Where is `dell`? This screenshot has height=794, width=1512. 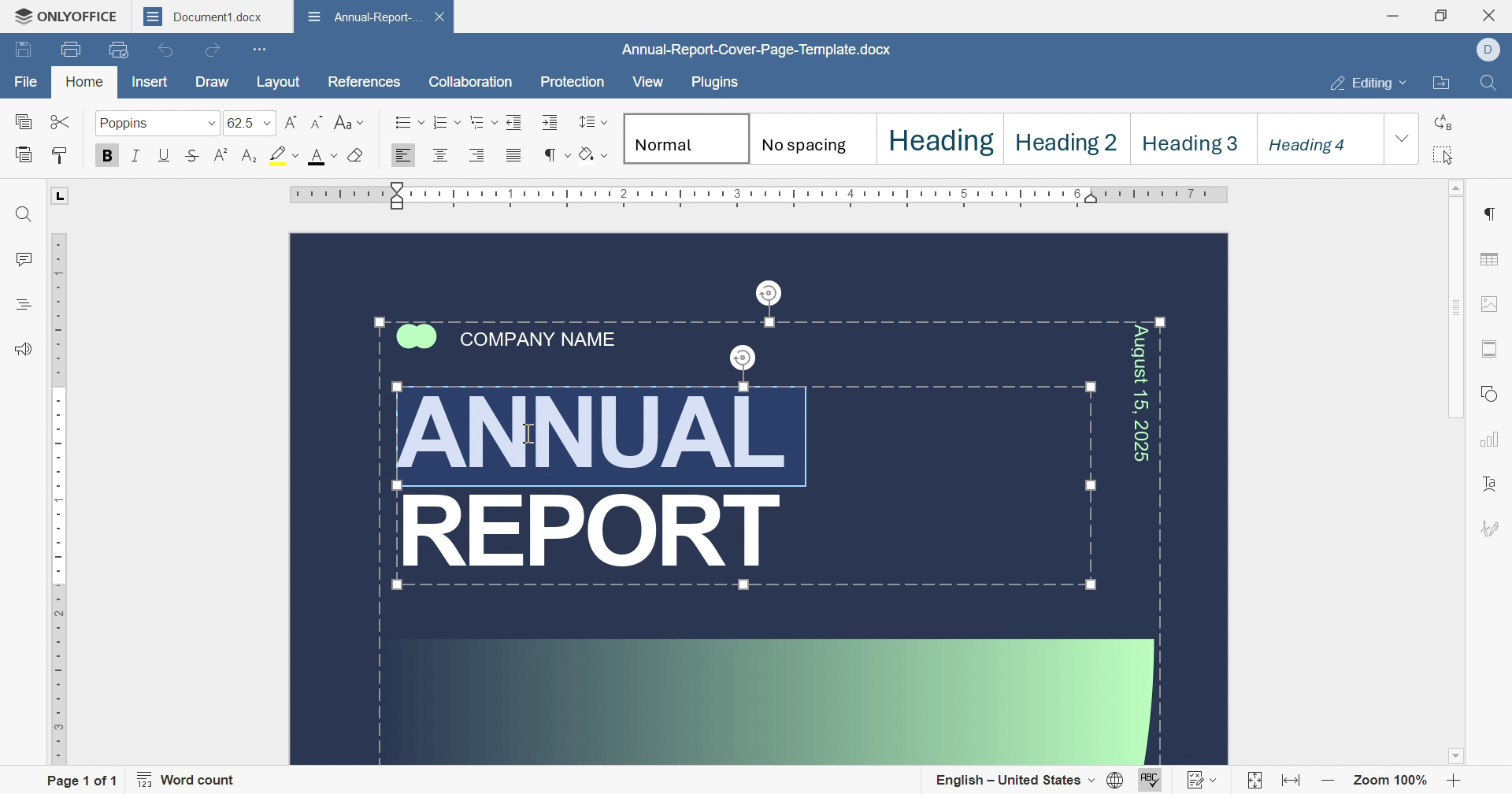
dell is located at coordinates (1490, 51).